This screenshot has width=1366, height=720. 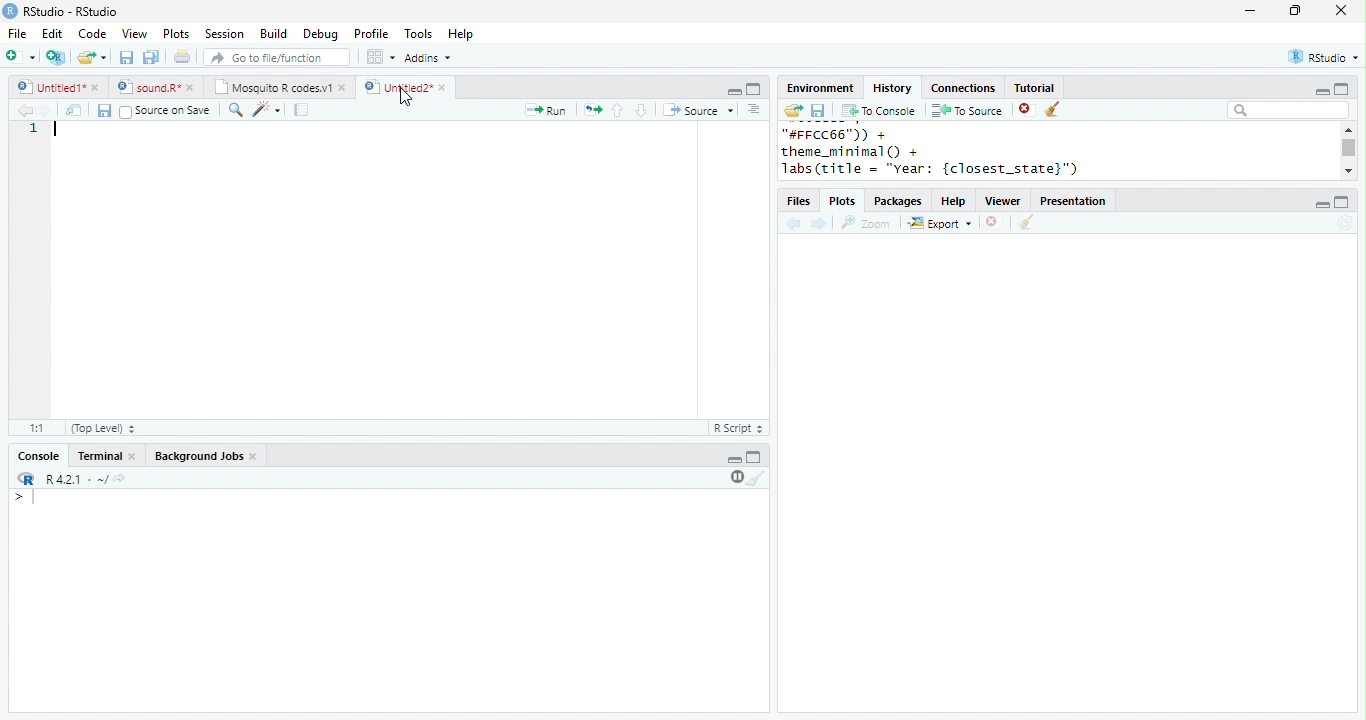 What do you see at coordinates (756, 478) in the screenshot?
I see `clear` at bounding box center [756, 478].